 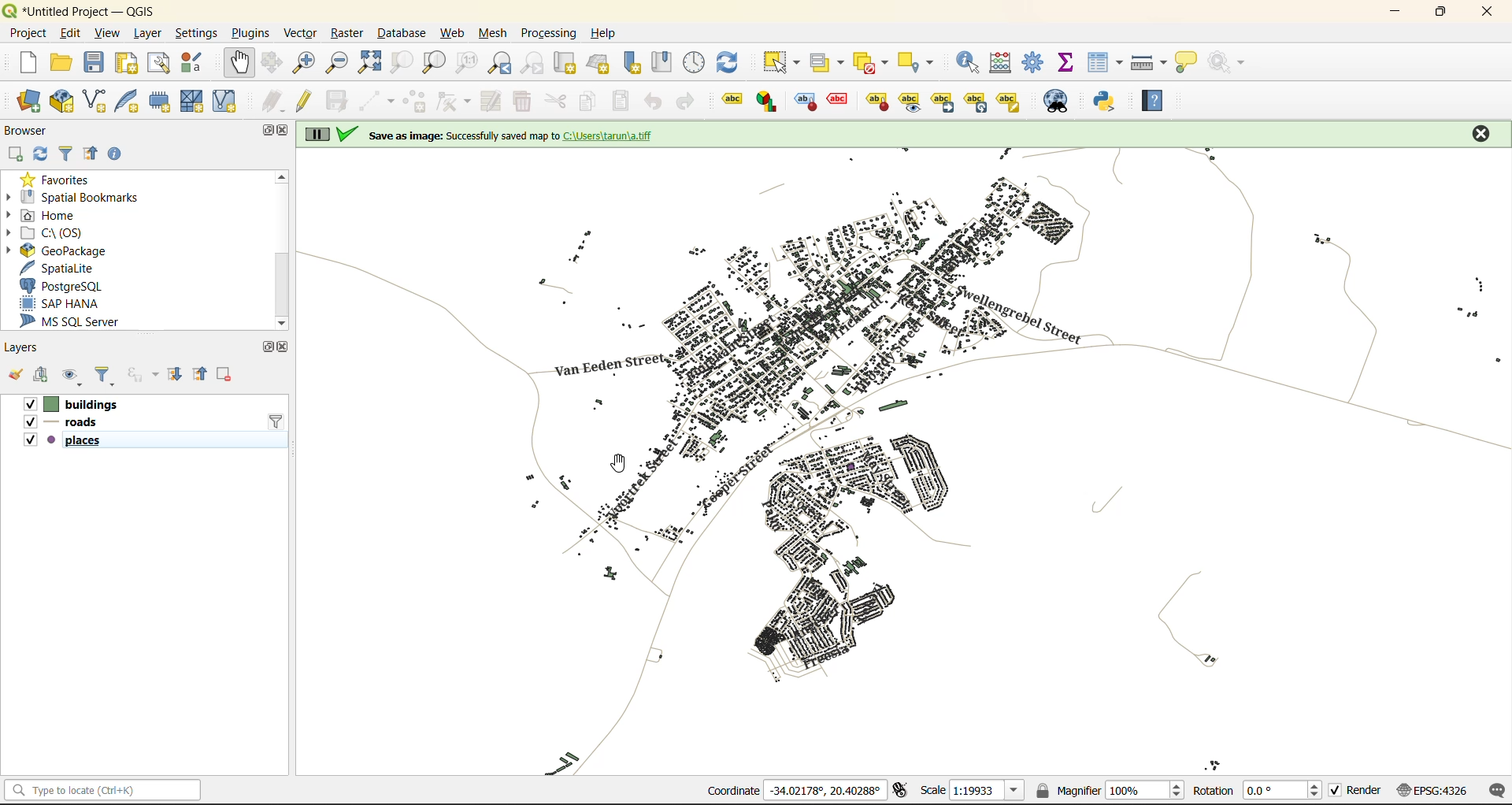 I want to click on paste, so click(x=619, y=101).